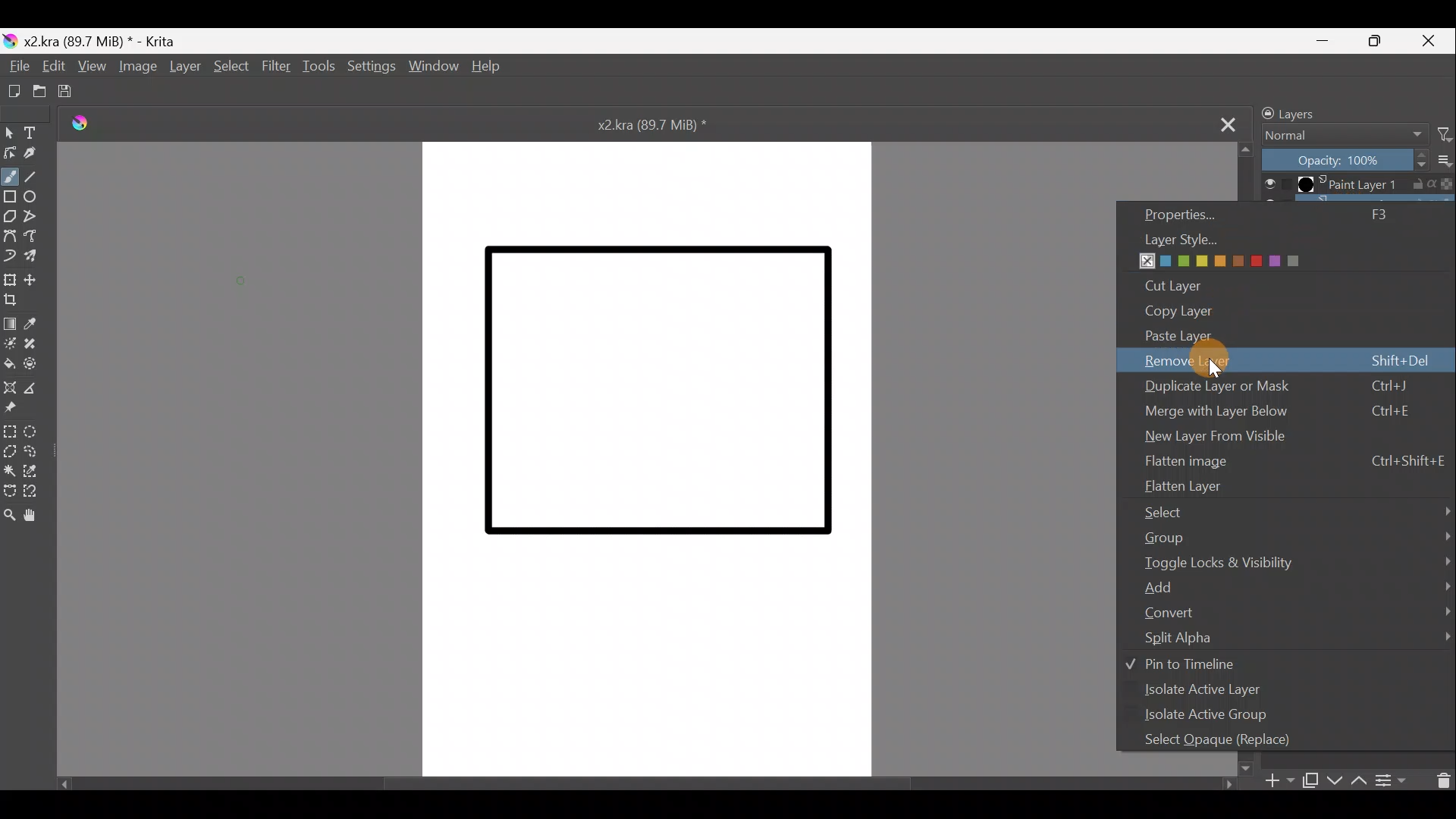 The width and height of the screenshot is (1456, 819). Describe the element at coordinates (96, 67) in the screenshot. I see `View` at that location.